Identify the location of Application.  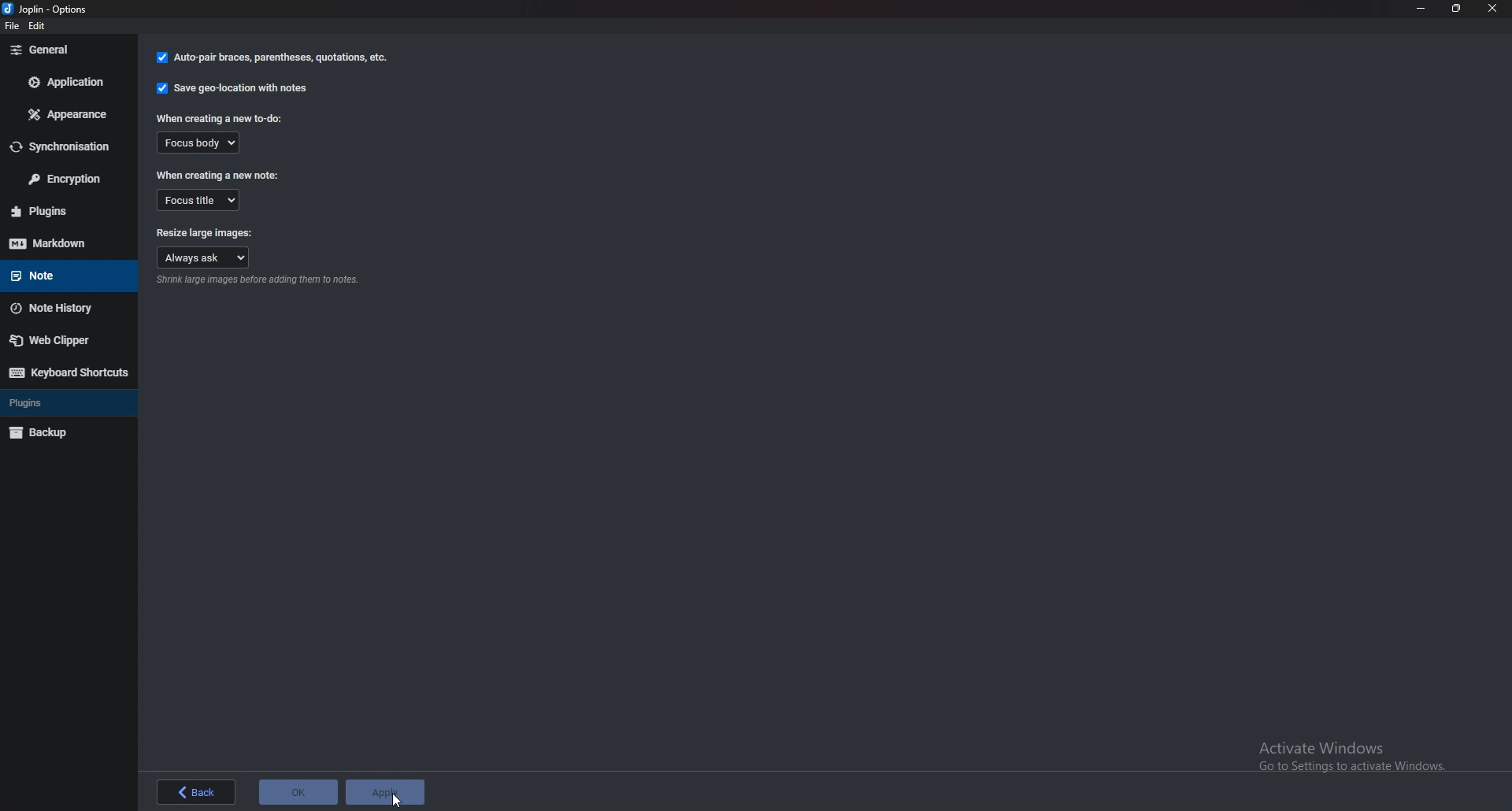
(64, 81).